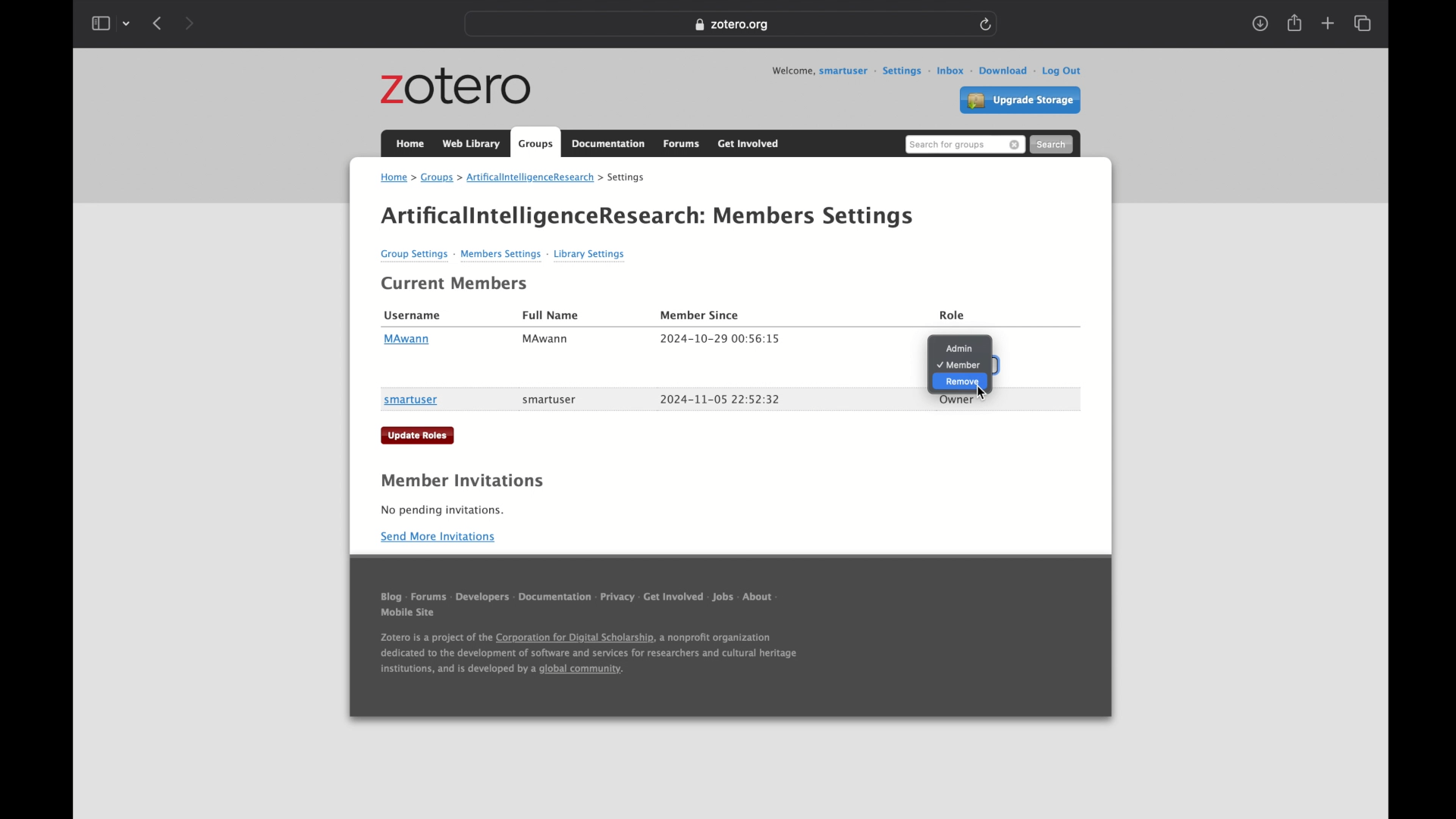  Describe the element at coordinates (411, 143) in the screenshot. I see `home` at that location.